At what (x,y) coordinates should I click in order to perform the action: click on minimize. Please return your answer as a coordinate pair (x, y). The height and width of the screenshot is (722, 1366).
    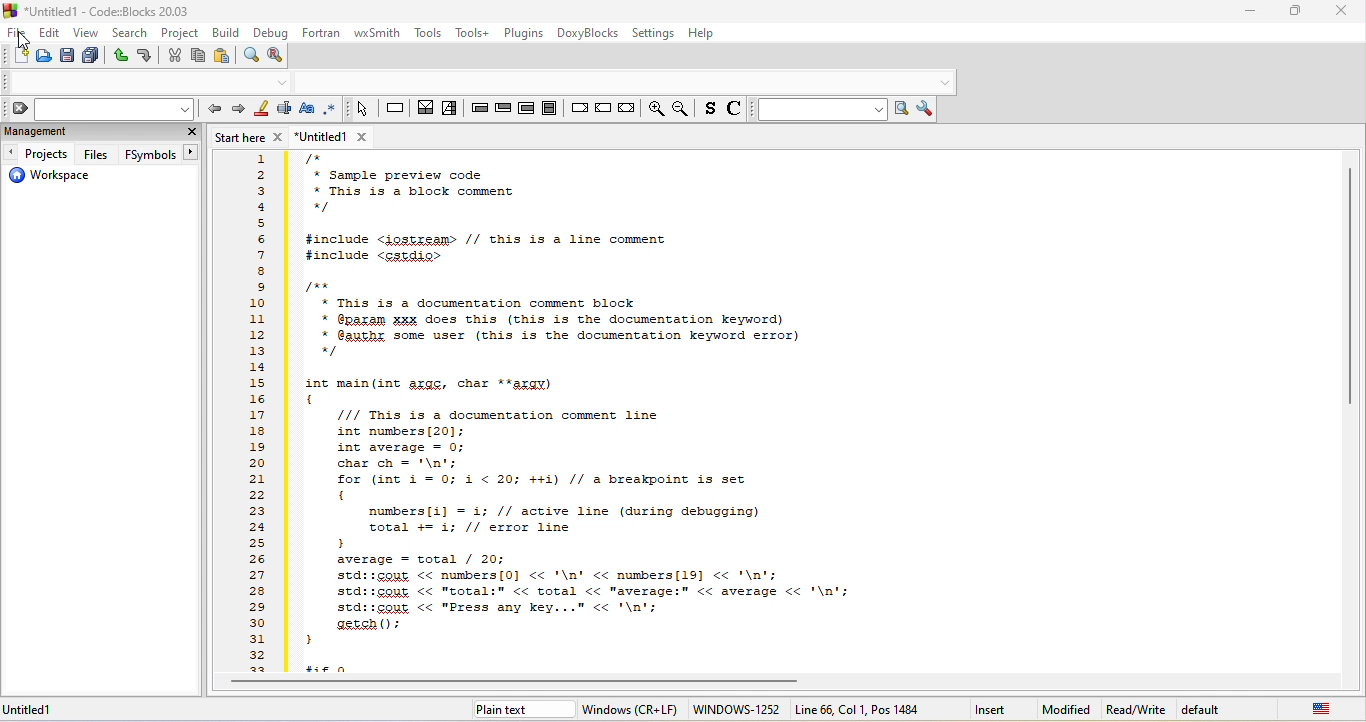
    Looking at the image, I should click on (1250, 11).